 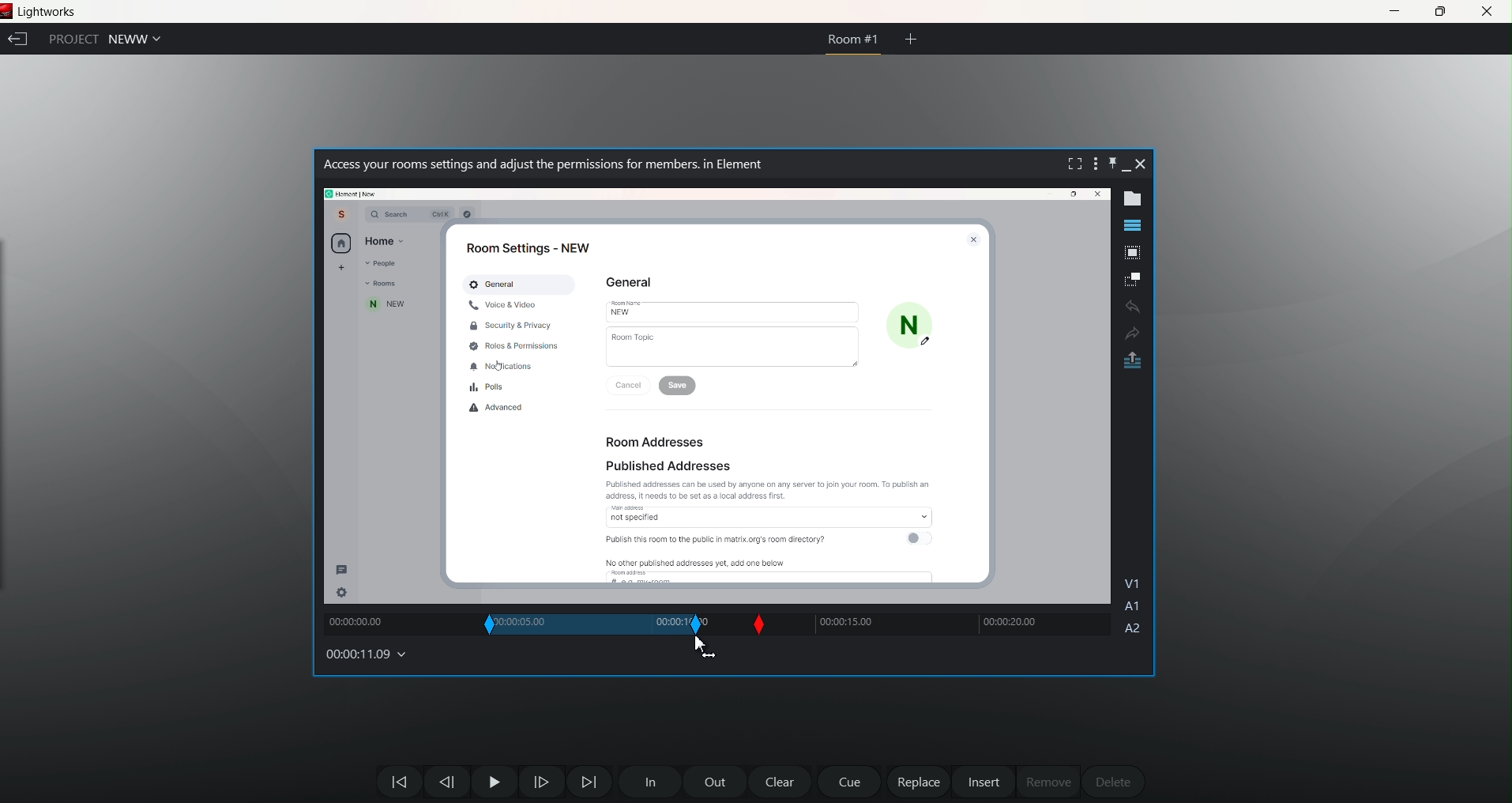 What do you see at coordinates (386, 283) in the screenshot?
I see `Room` at bounding box center [386, 283].